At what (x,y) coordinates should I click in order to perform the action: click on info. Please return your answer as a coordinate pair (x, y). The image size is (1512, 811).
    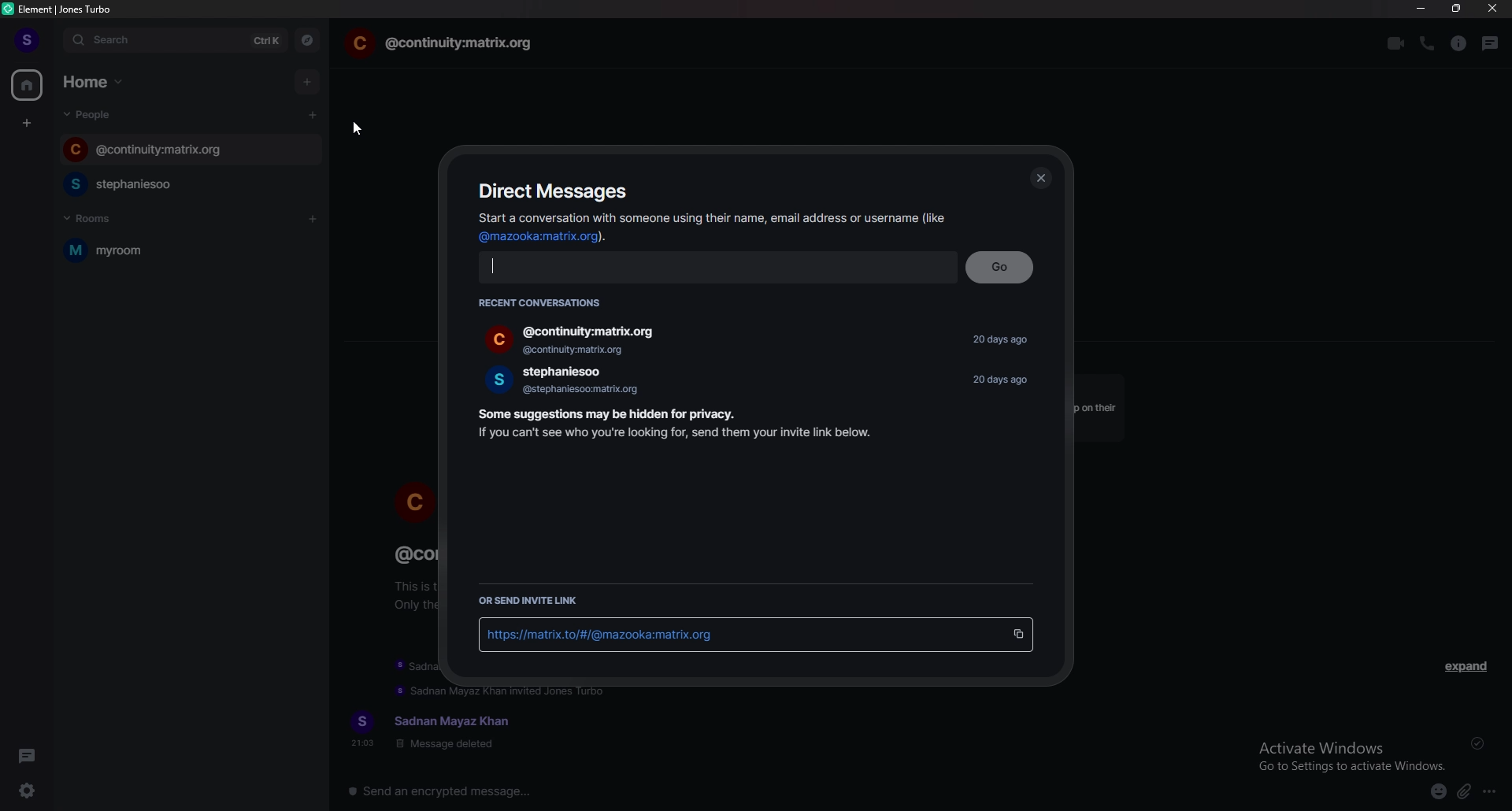
    Looking at the image, I should click on (712, 227).